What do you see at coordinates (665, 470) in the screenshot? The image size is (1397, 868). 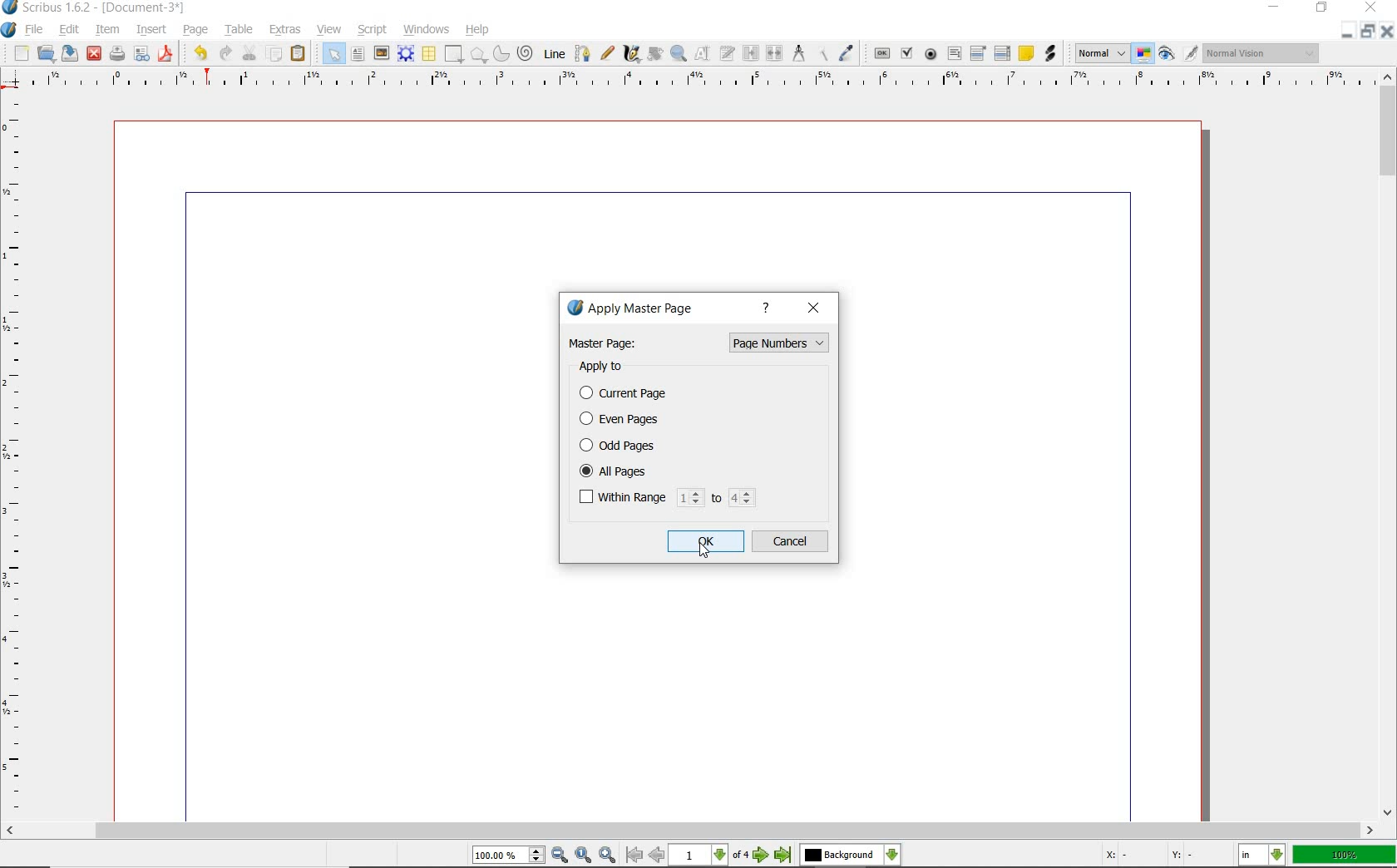 I see `all pages selected` at bounding box center [665, 470].